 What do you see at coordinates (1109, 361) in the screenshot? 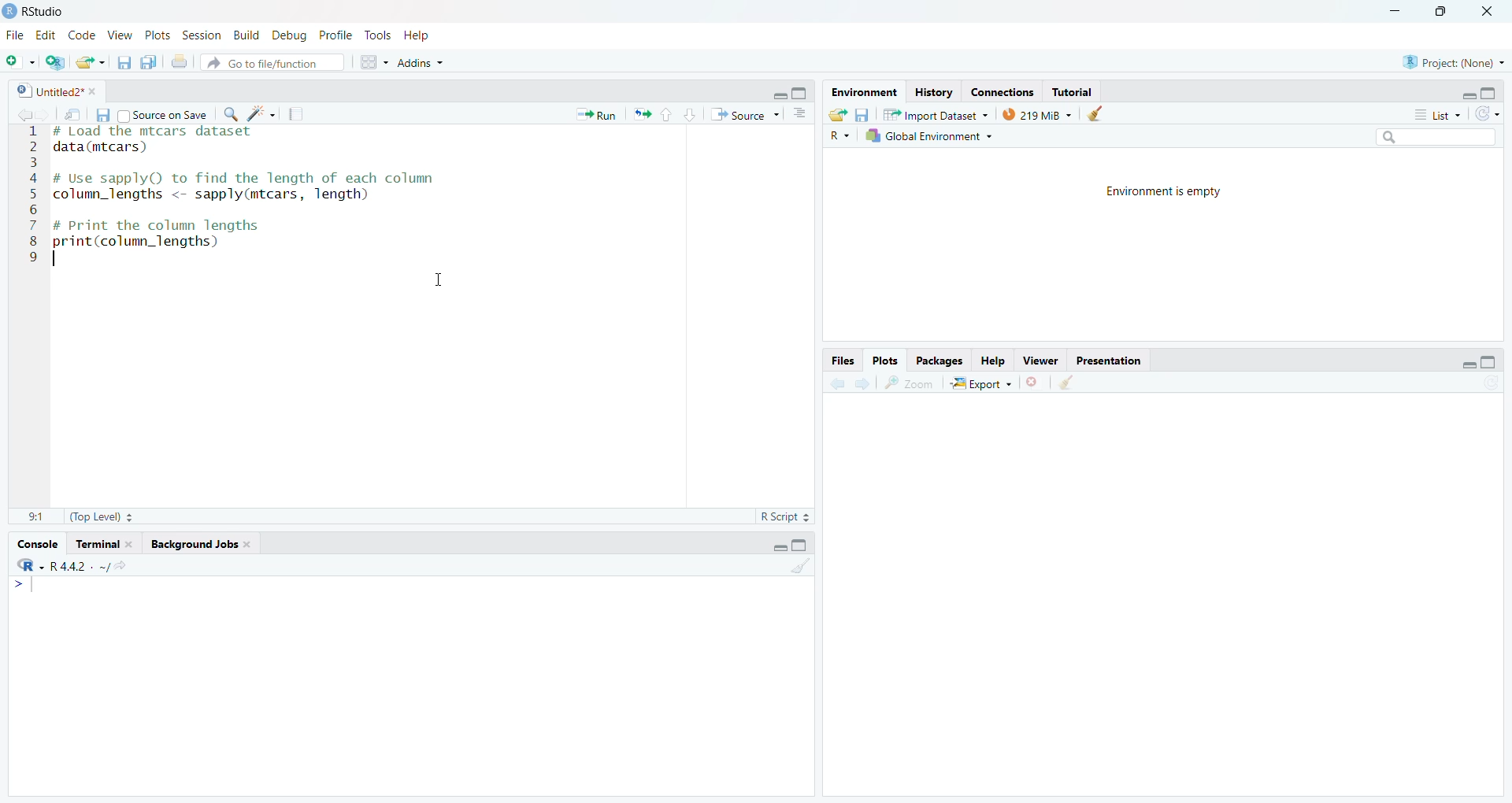
I see `Presentation` at bounding box center [1109, 361].